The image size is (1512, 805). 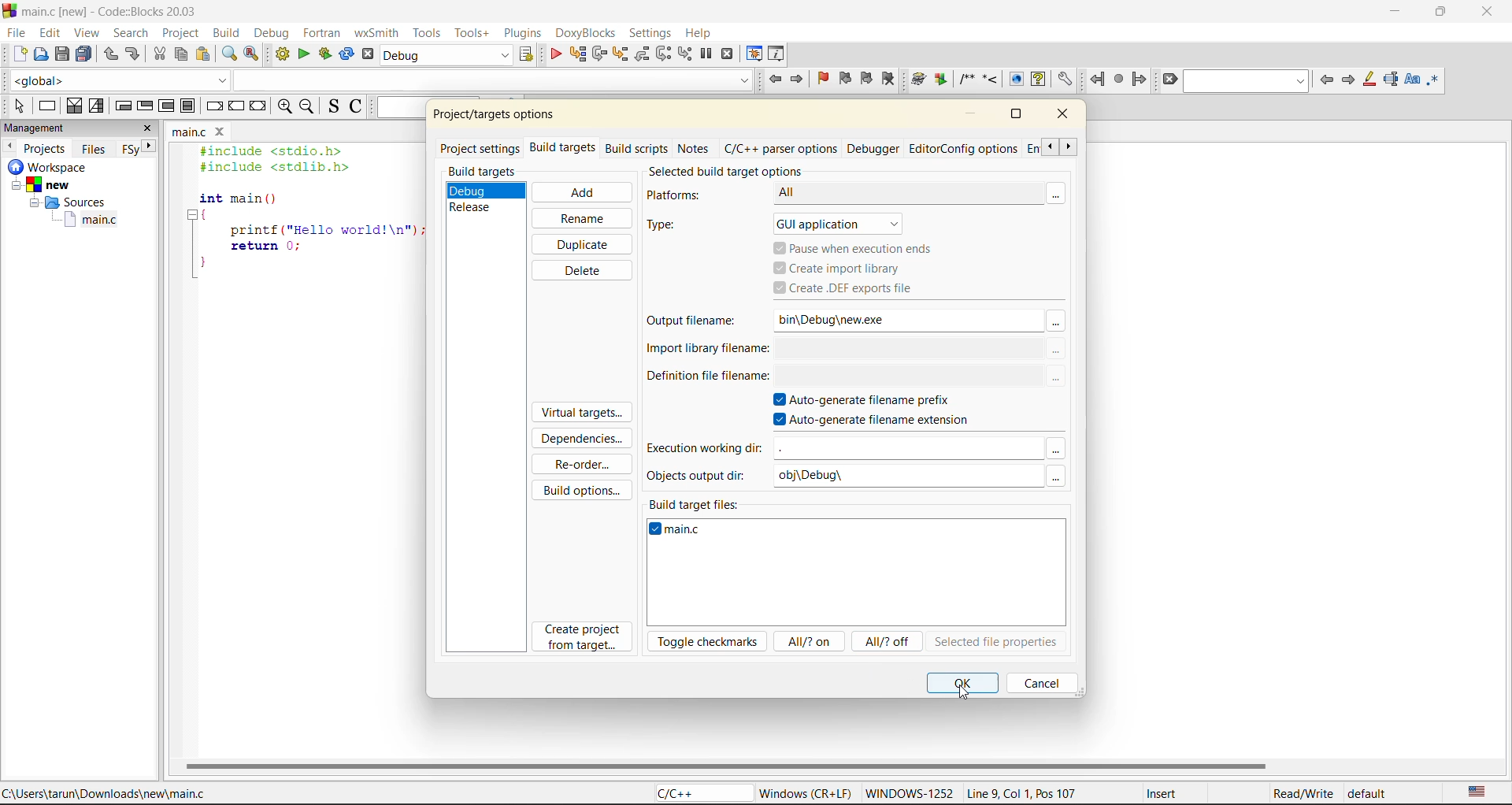 What do you see at coordinates (1436, 80) in the screenshot?
I see `use regex` at bounding box center [1436, 80].